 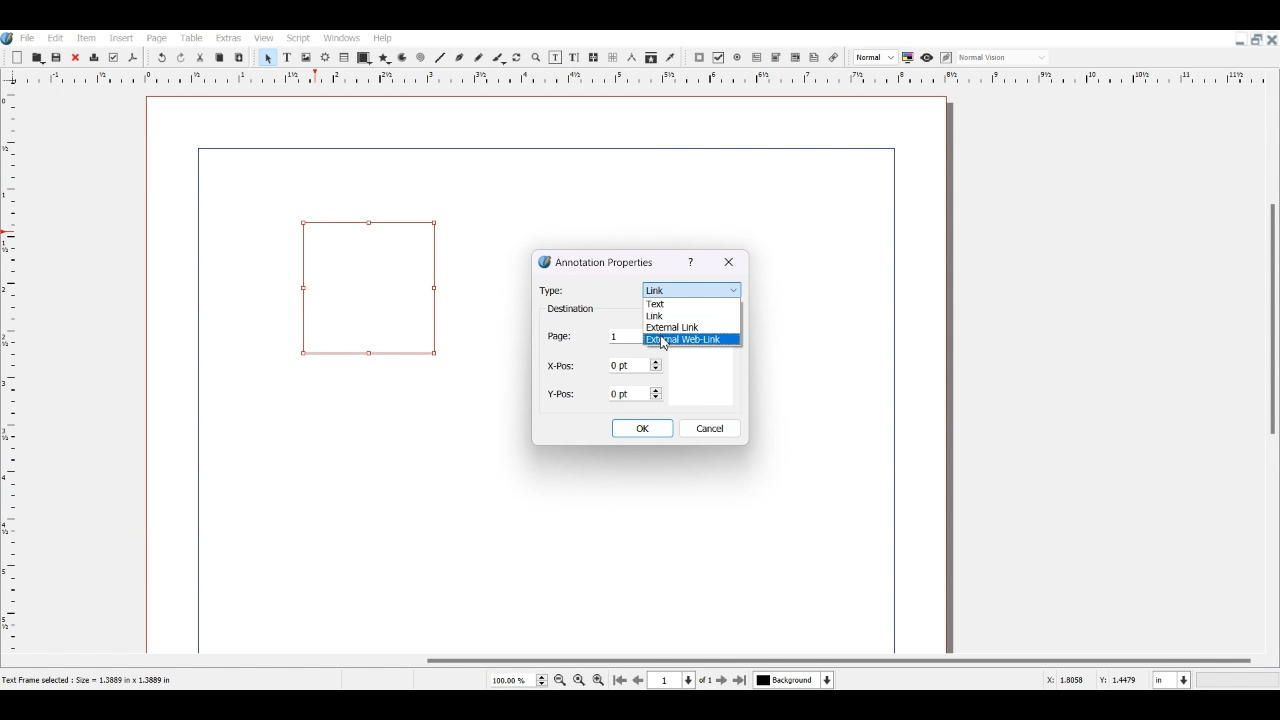 What do you see at coordinates (383, 38) in the screenshot?
I see `Help` at bounding box center [383, 38].